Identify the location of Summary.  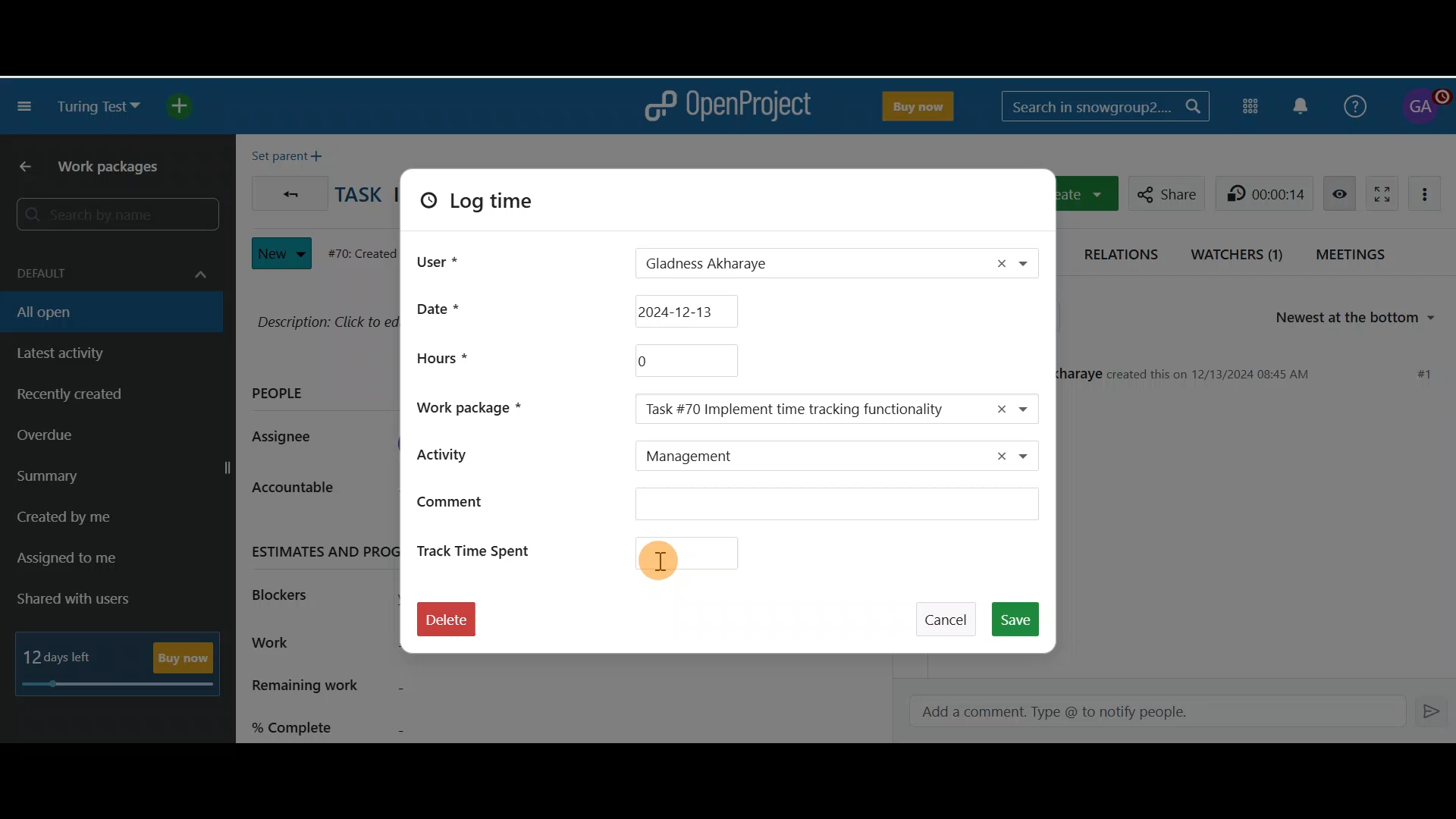
(120, 479).